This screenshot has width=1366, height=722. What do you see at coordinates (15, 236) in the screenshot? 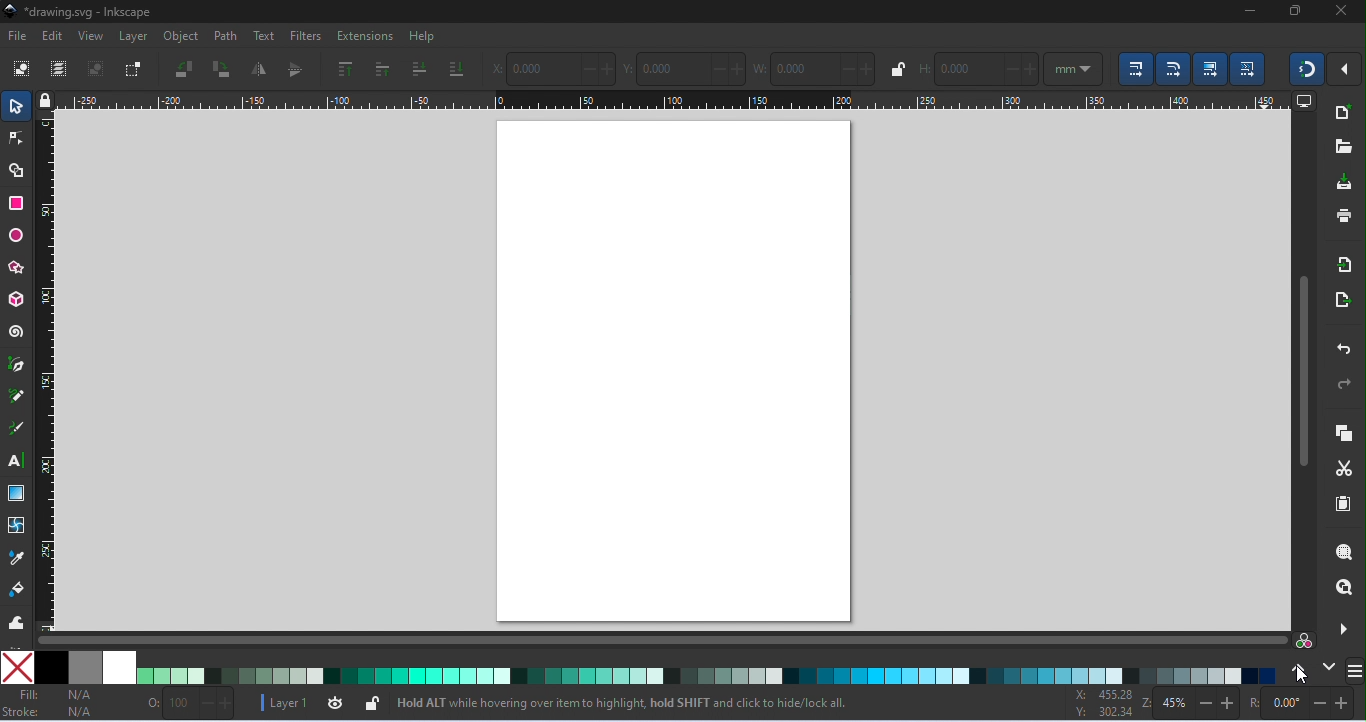
I see `ellipse/ arc` at bounding box center [15, 236].